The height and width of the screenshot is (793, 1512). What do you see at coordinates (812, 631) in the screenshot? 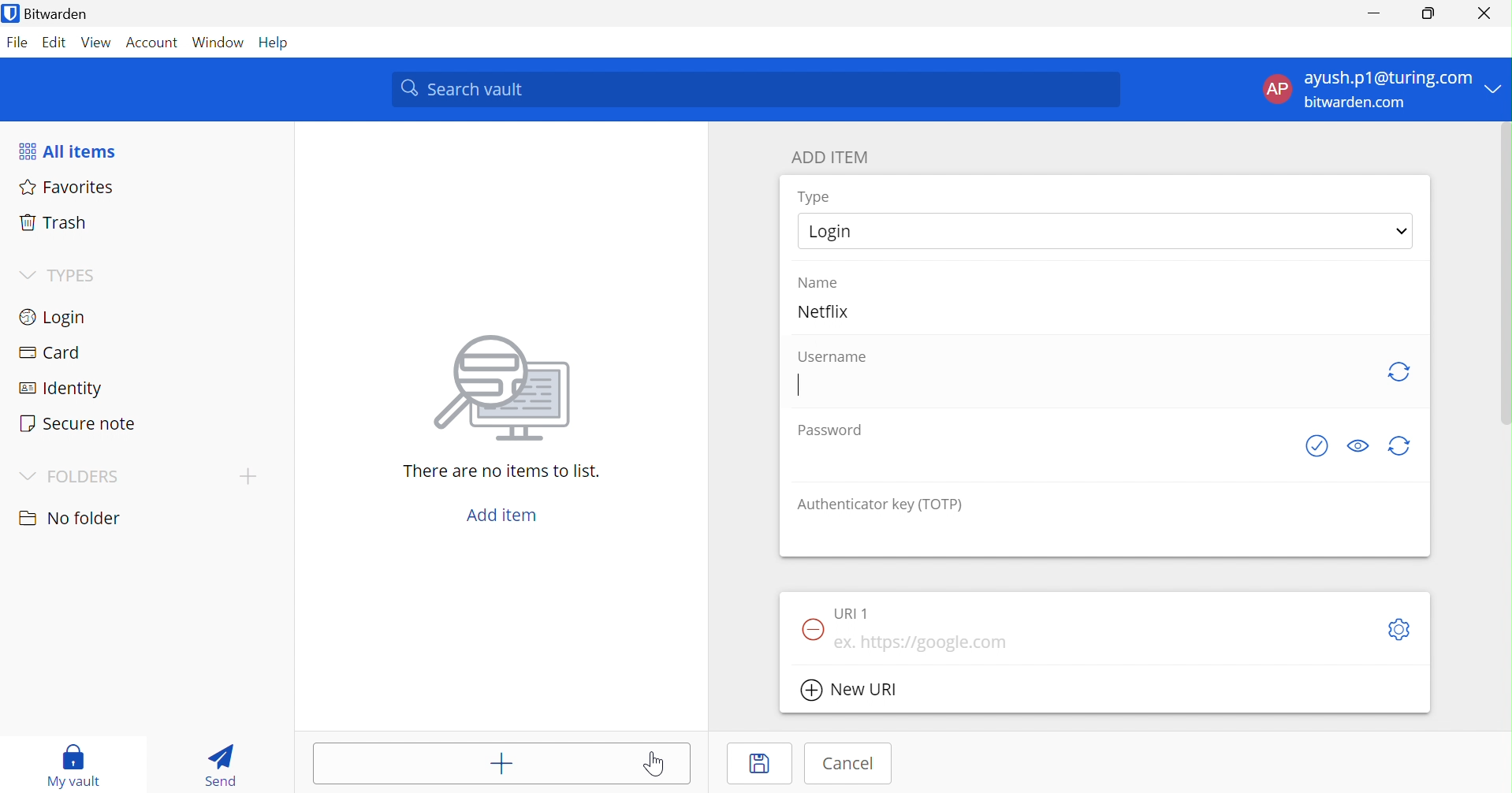
I see `Remove` at bounding box center [812, 631].